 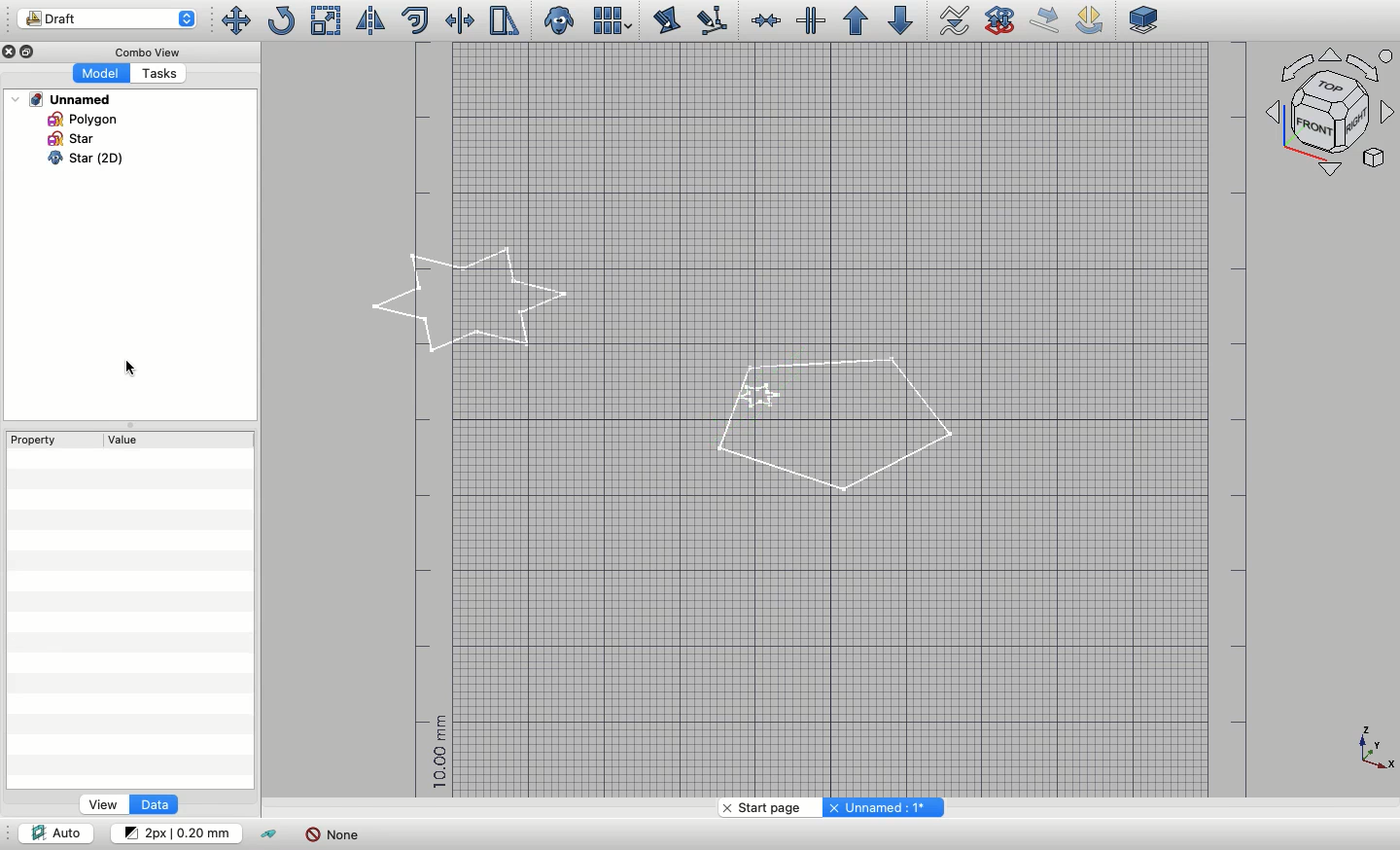 What do you see at coordinates (157, 73) in the screenshot?
I see `Tasks` at bounding box center [157, 73].